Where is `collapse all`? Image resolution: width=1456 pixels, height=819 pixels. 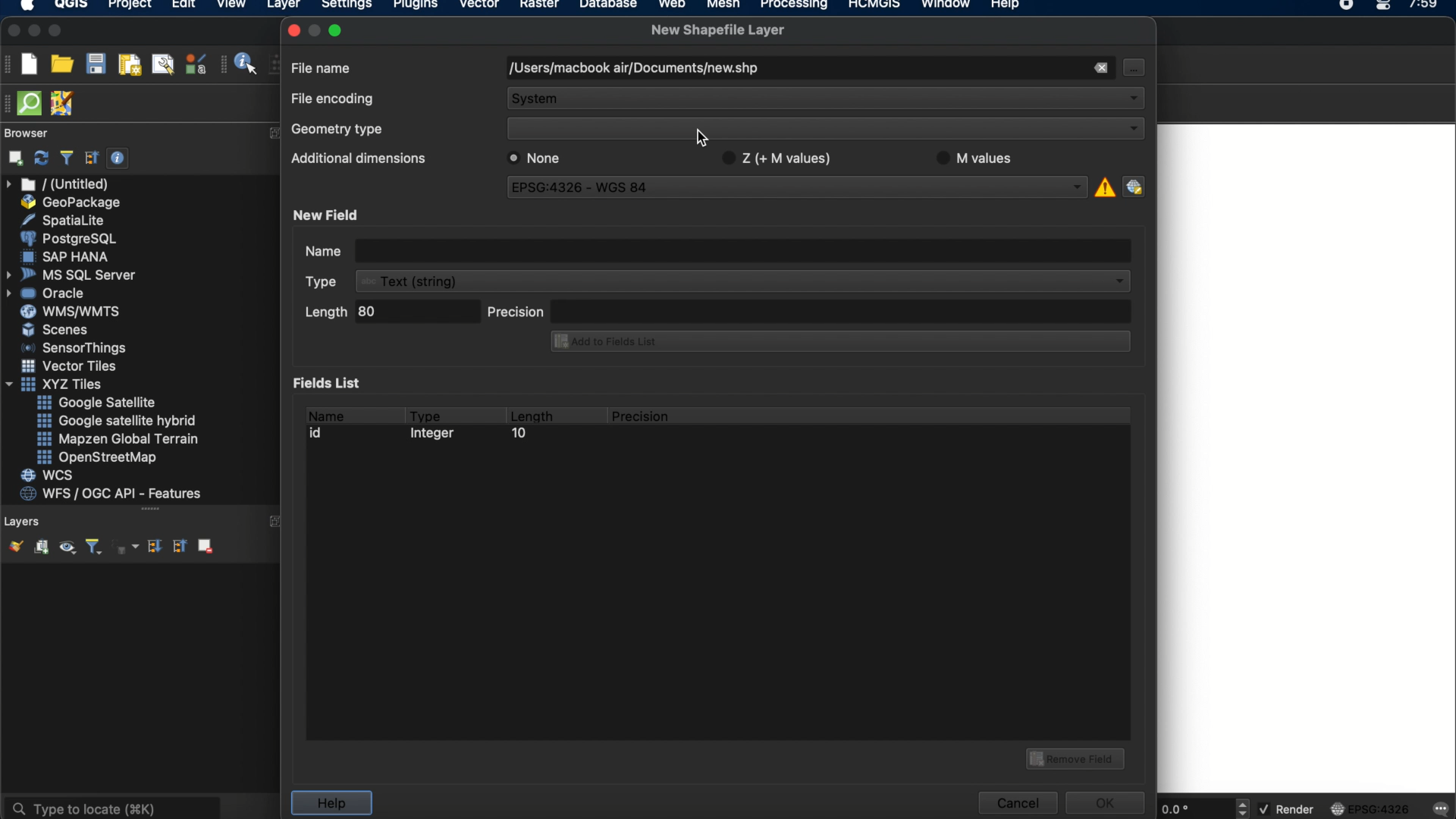
collapse all is located at coordinates (178, 545).